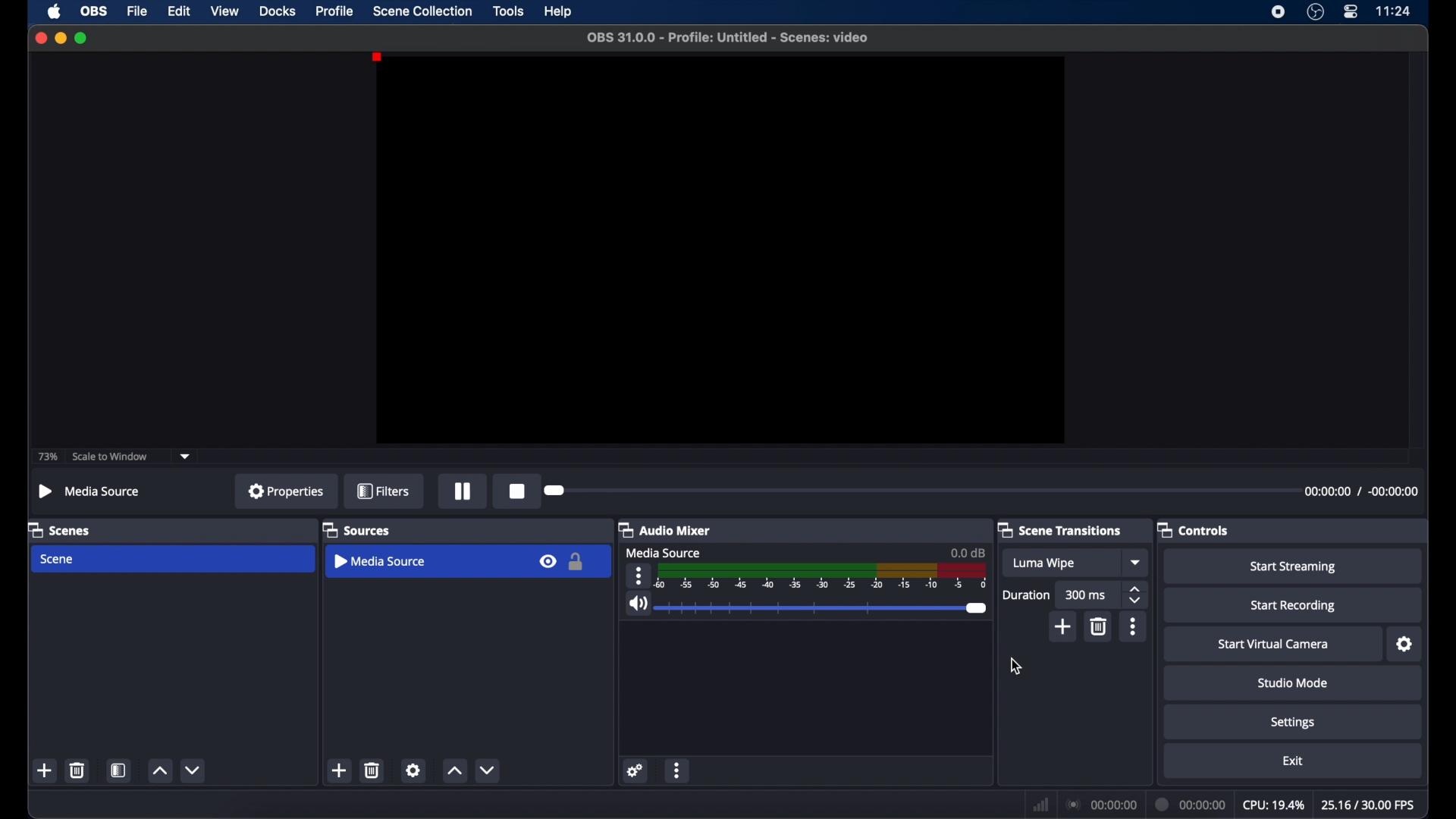 This screenshot has width=1456, height=819. Describe the element at coordinates (77, 770) in the screenshot. I see `delete` at that location.